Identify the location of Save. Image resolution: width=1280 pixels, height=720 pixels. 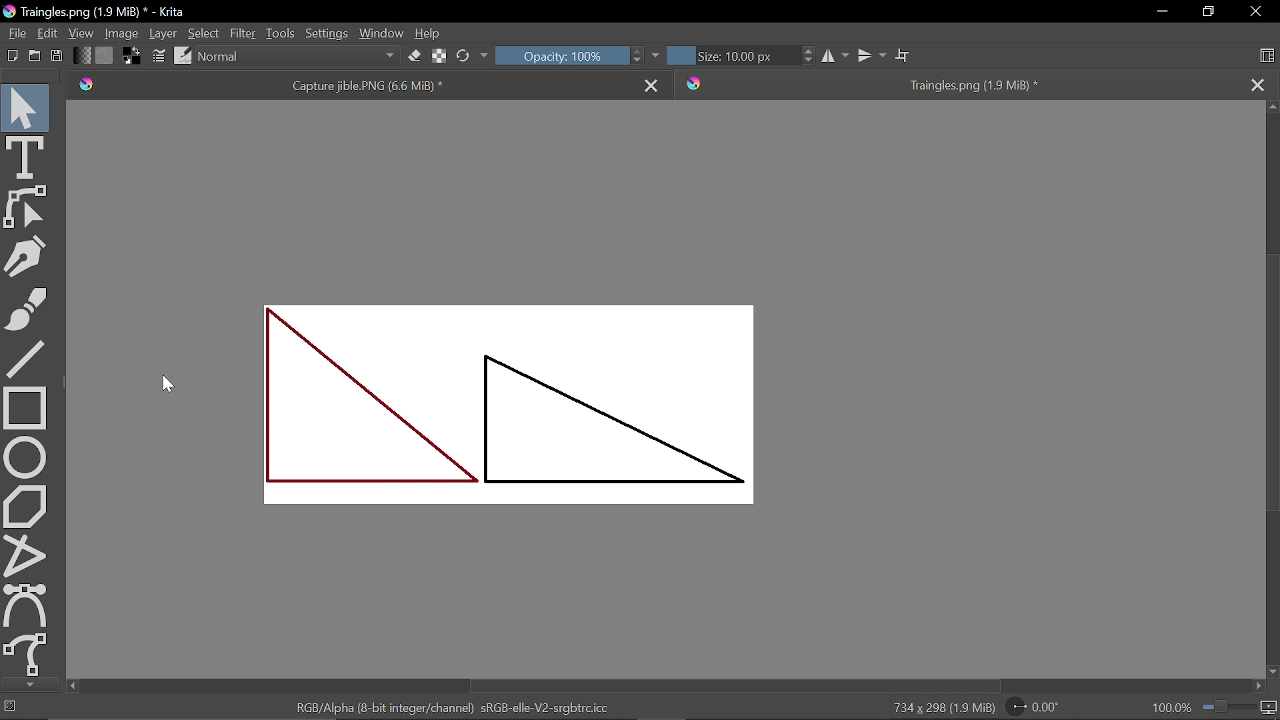
(57, 54).